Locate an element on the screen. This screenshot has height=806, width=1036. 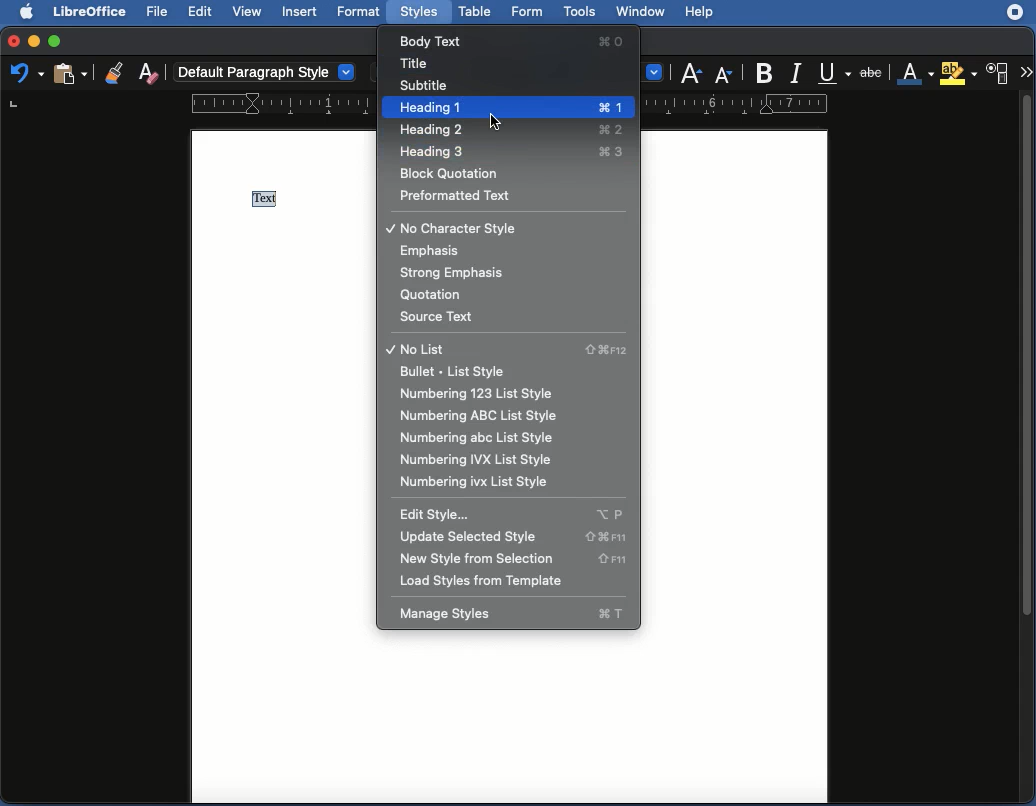
Font color is located at coordinates (915, 74).